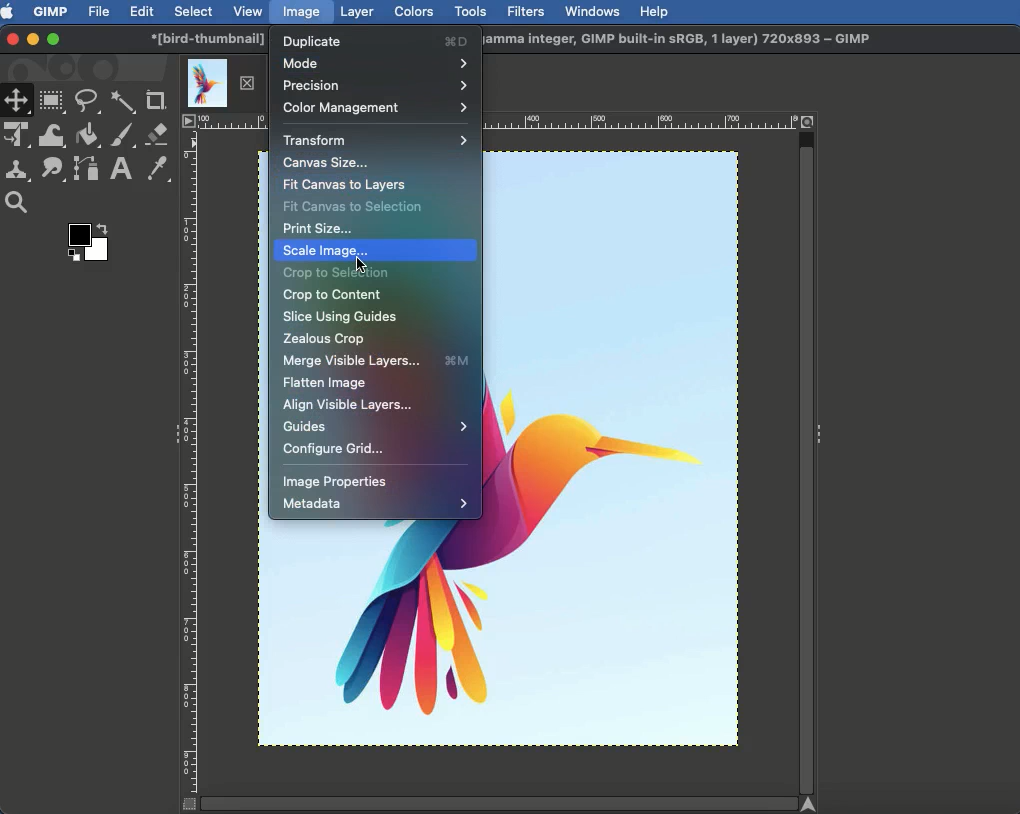  I want to click on Fuzzy selector, so click(122, 100).